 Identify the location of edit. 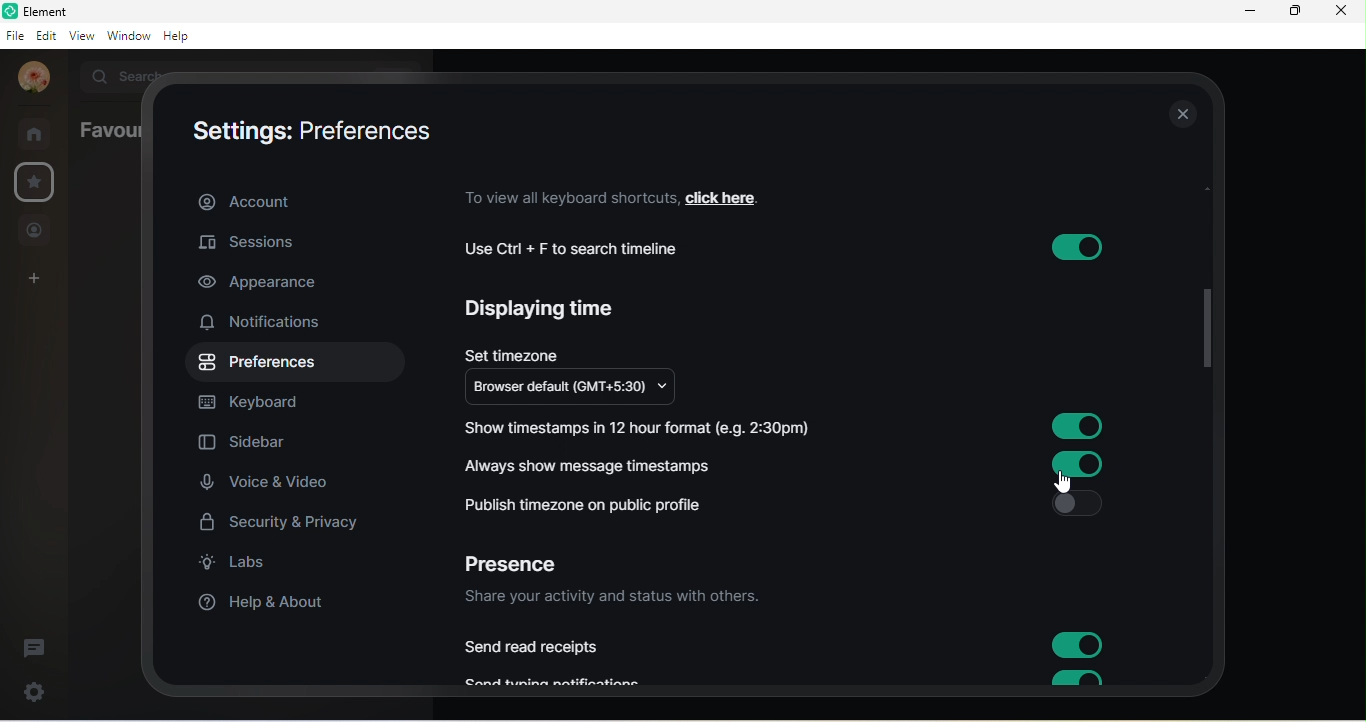
(44, 35).